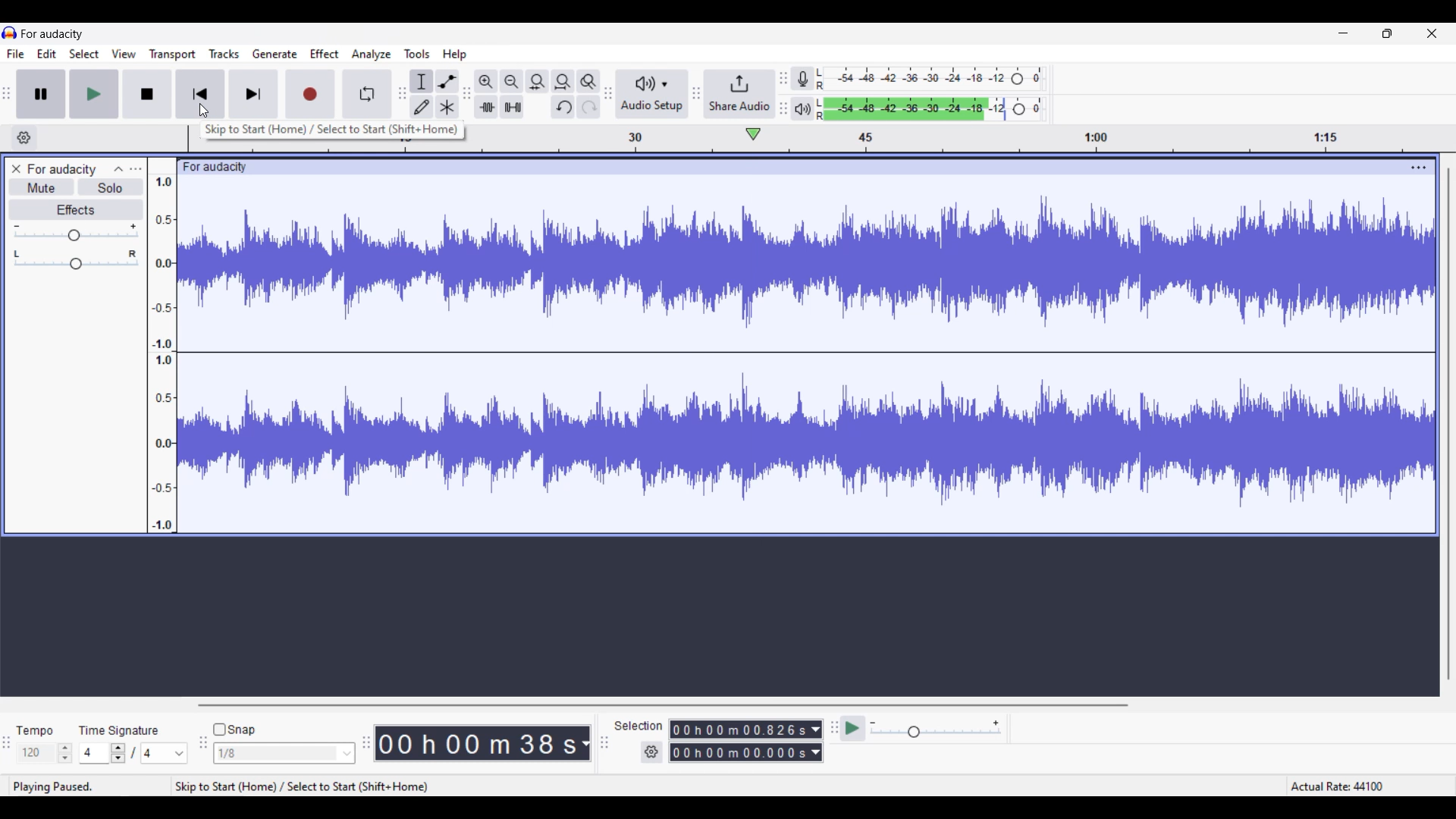  What do you see at coordinates (285, 753) in the screenshot?
I see `Snap options` at bounding box center [285, 753].